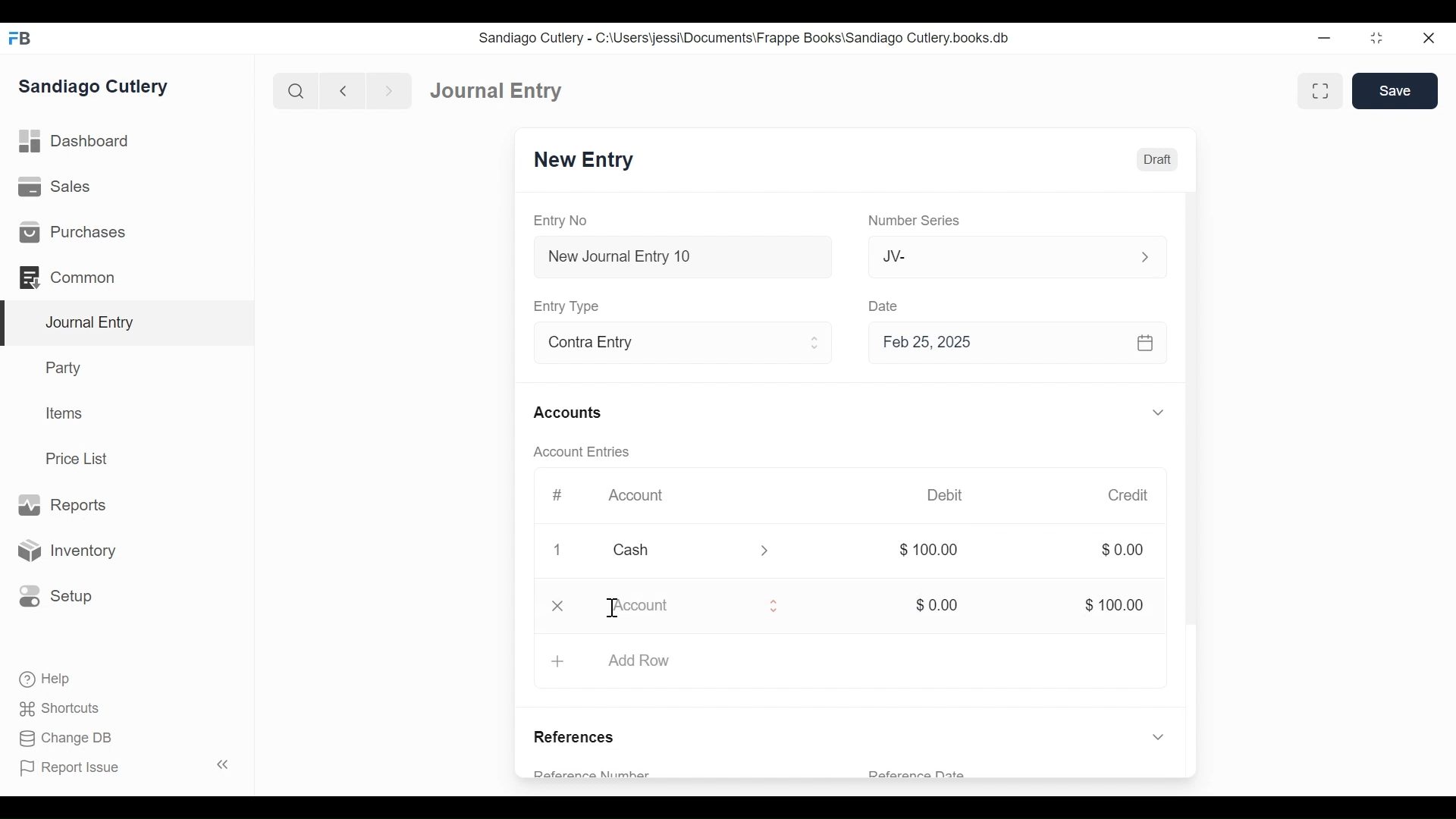  I want to click on Expand, so click(765, 550).